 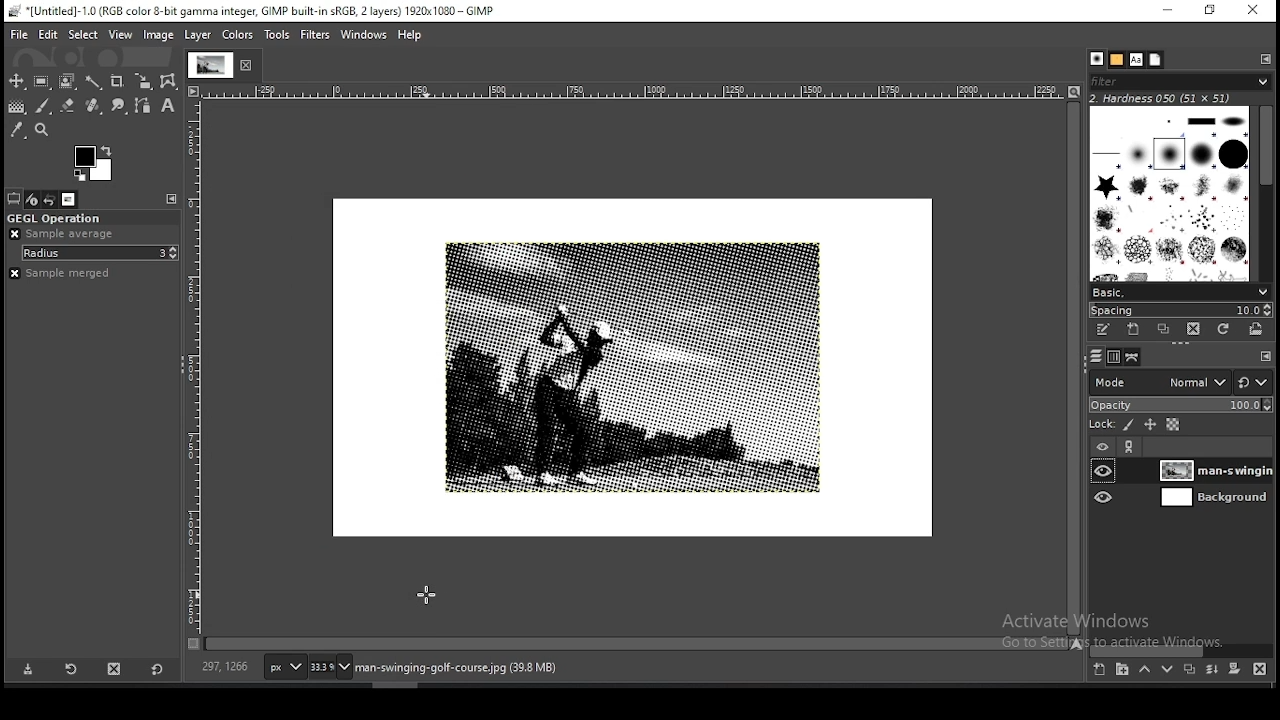 I want to click on scroll bar, so click(x=1076, y=368).